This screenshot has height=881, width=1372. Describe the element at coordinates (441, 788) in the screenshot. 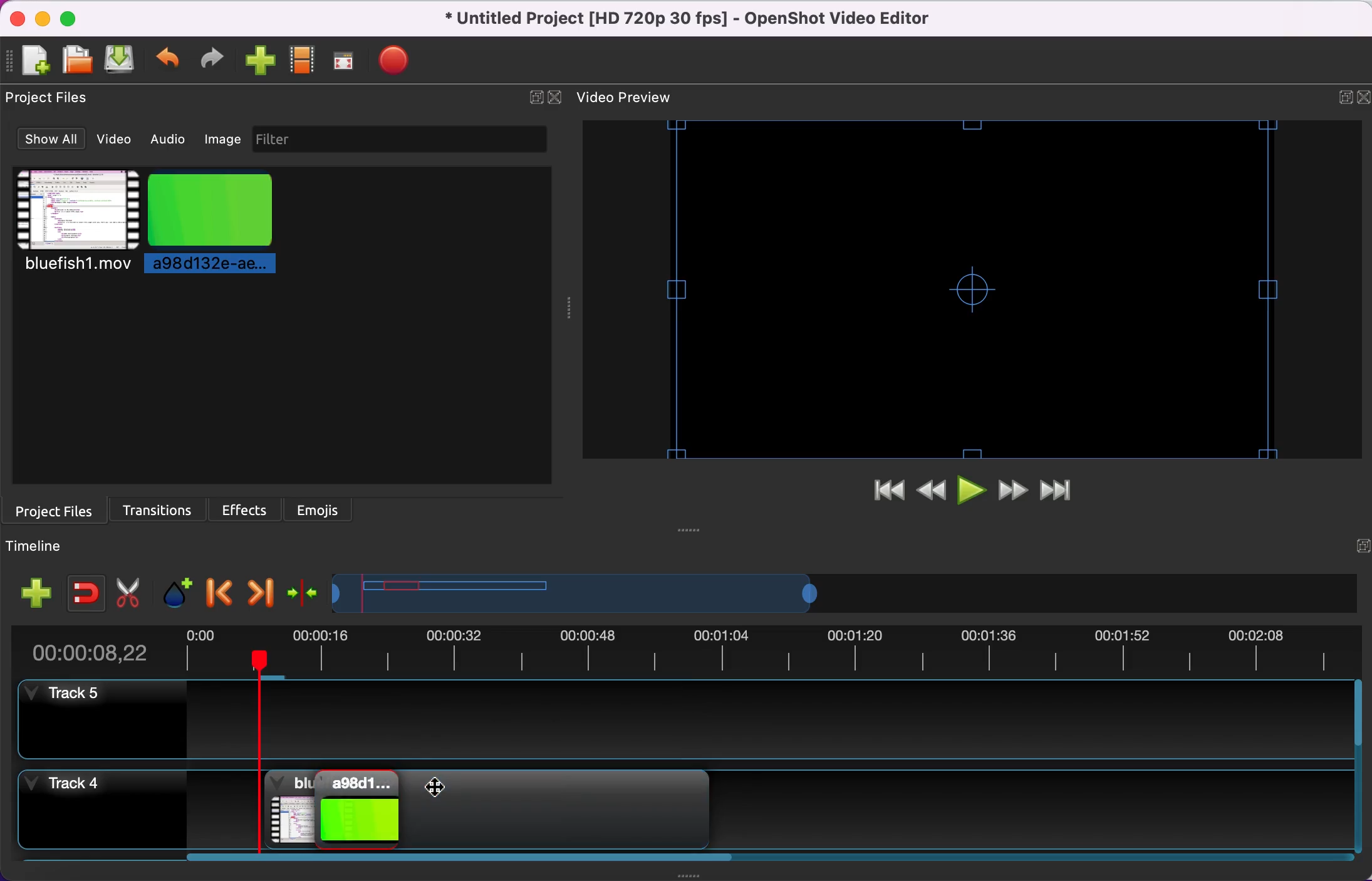

I see `Cursor` at that location.